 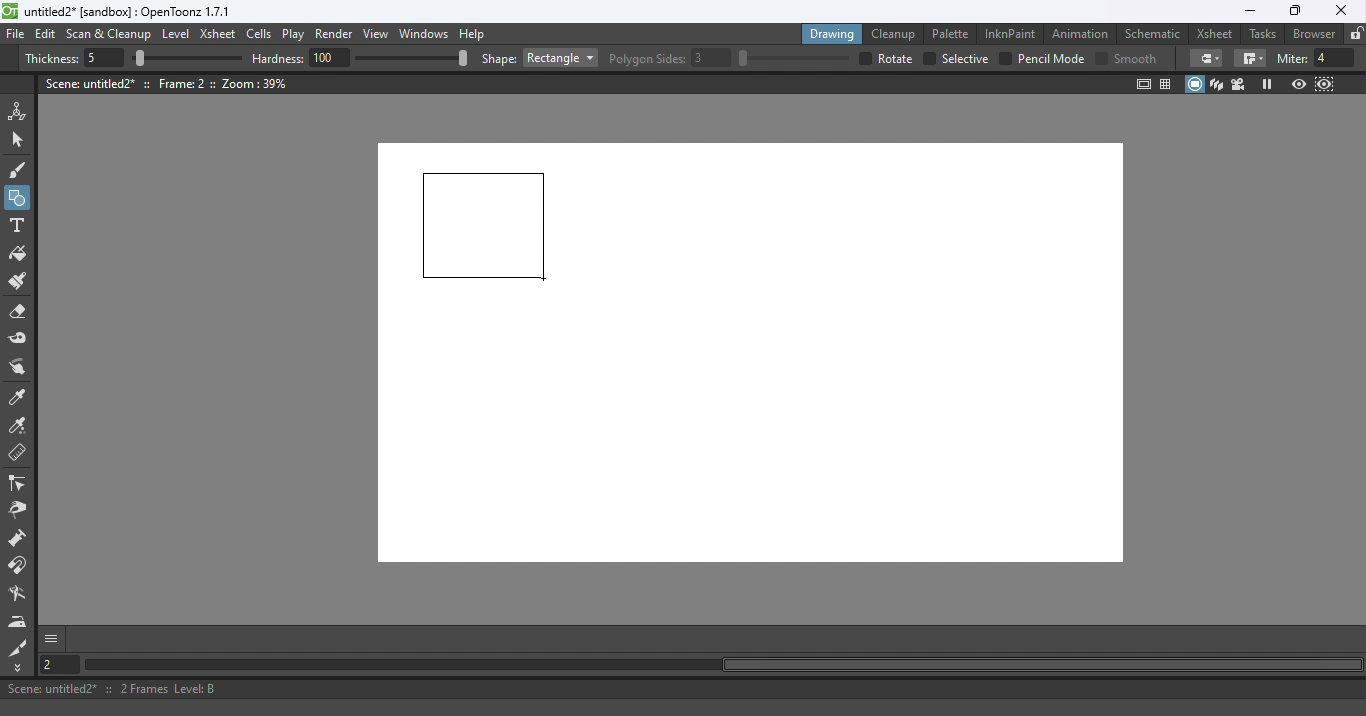 I want to click on RGB picker tool, so click(x=21, y=427).